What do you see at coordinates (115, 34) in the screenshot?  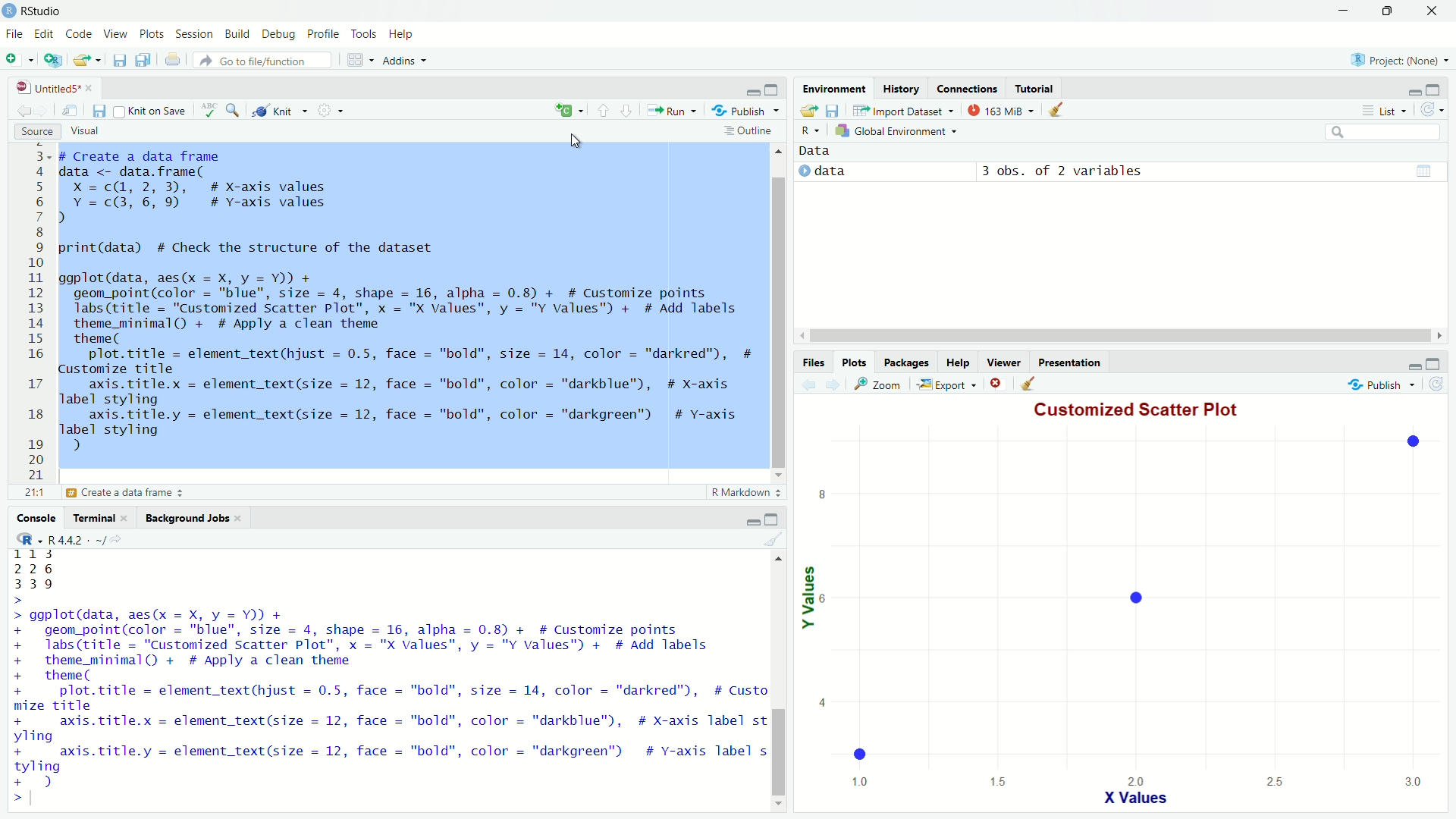 I see `View` at bounding box center [115, 34].